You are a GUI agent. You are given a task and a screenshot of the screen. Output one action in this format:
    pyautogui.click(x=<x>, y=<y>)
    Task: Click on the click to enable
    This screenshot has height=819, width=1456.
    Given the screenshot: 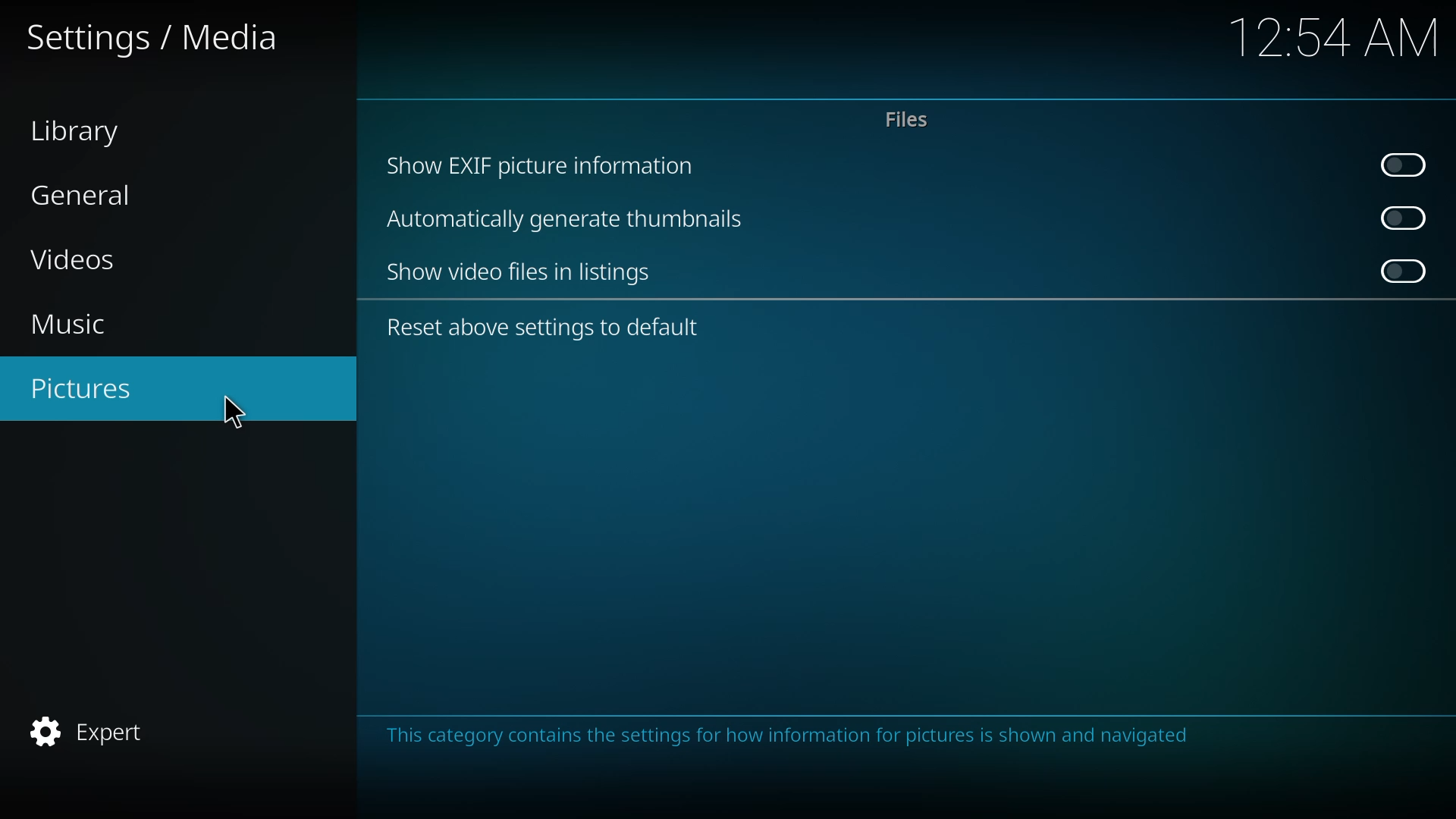 What is the action you would take?
    pyautogui.click(x=1404, y=220)
    